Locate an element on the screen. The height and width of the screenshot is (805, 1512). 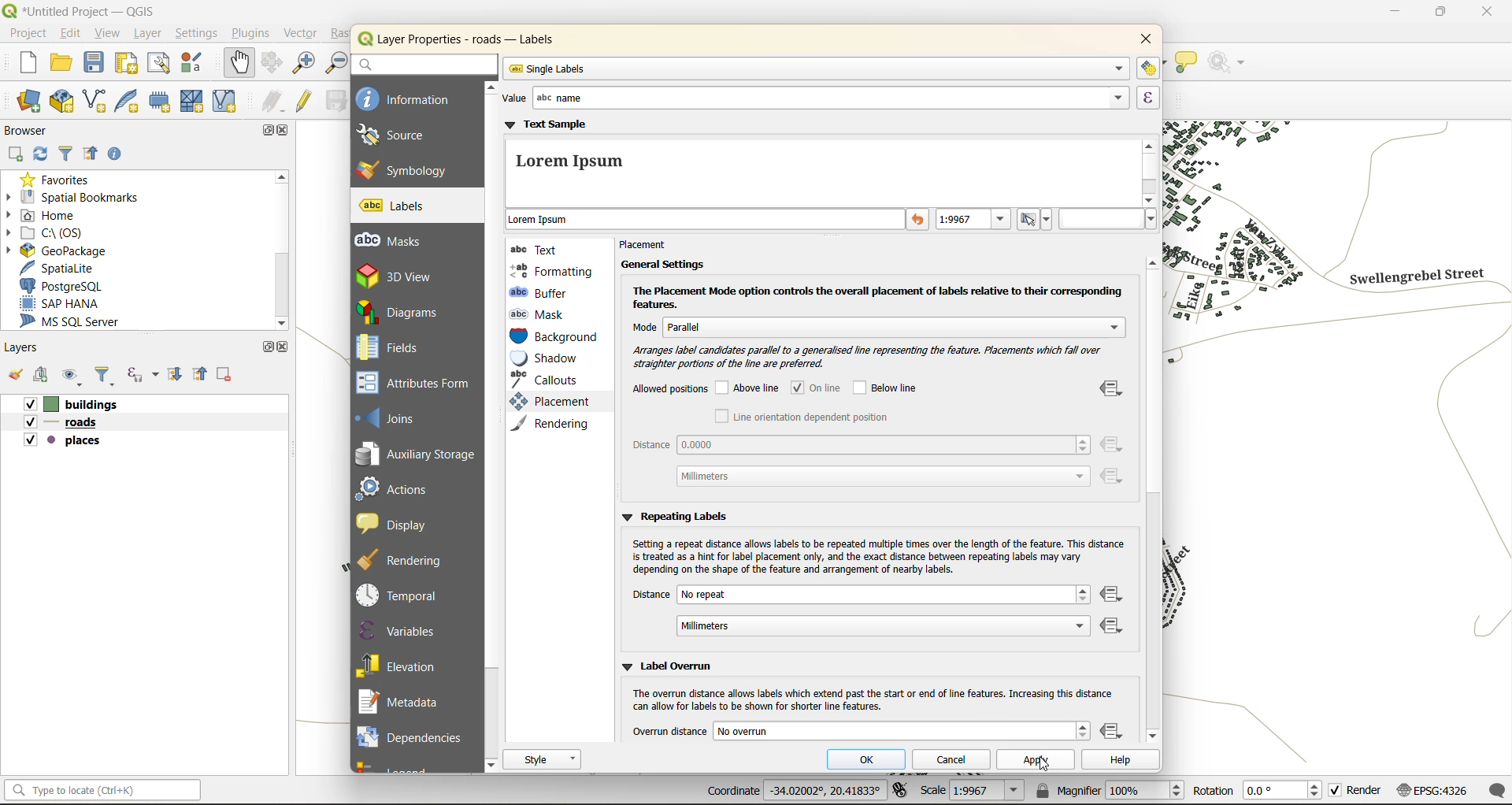
filter by expression is located at coordinates (143, 375).